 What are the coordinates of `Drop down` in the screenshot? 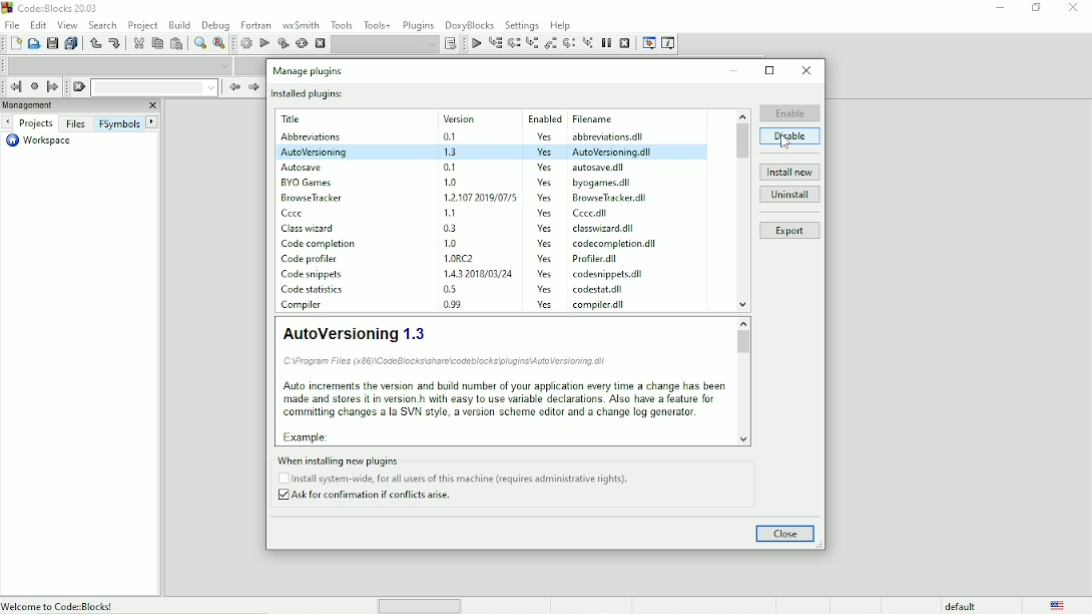 It's located at (154, 87).